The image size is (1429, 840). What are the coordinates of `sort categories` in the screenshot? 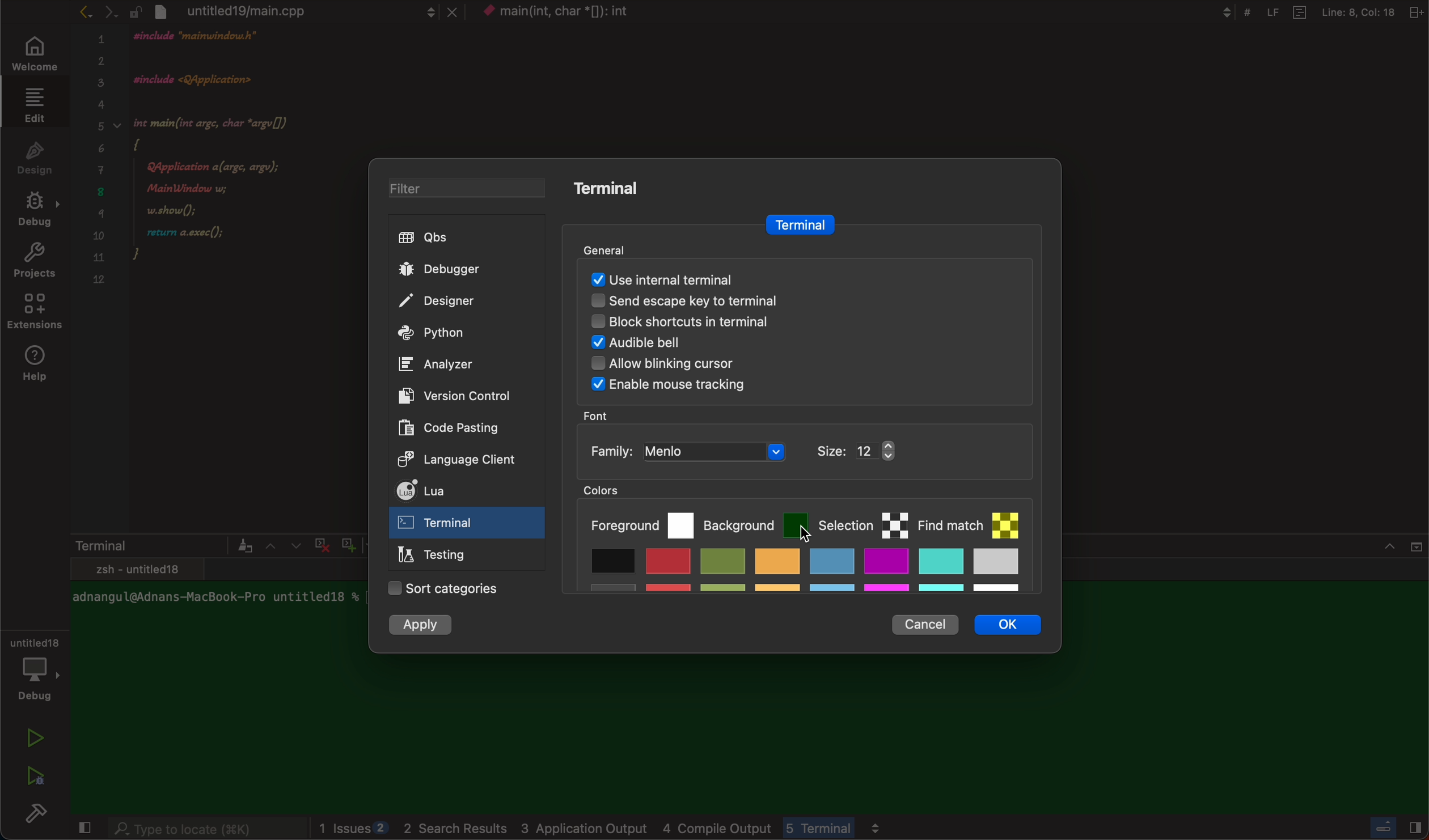 It's located at (445, 589).